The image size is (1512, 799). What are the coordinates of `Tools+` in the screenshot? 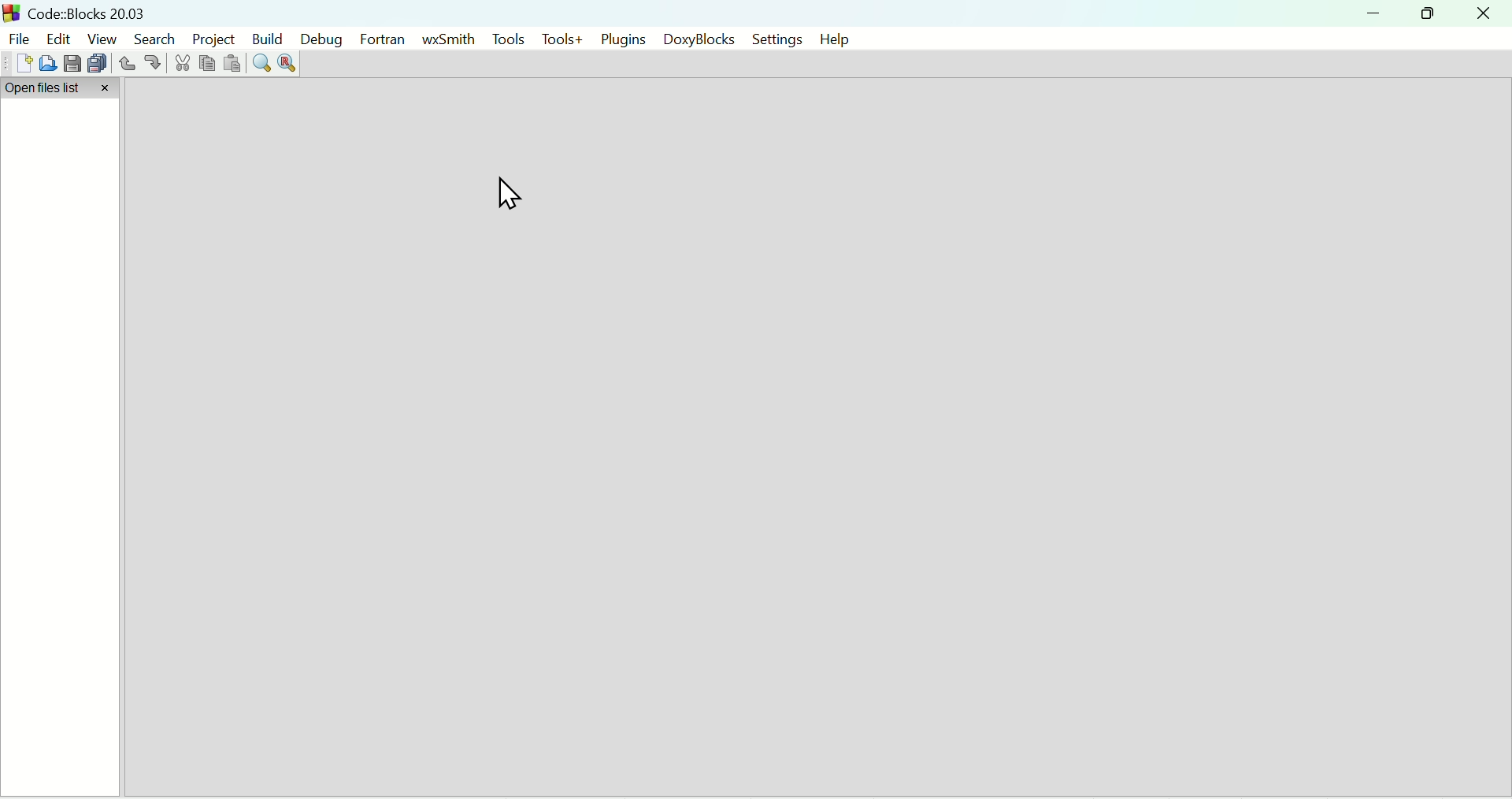 It's located at (562, 39).